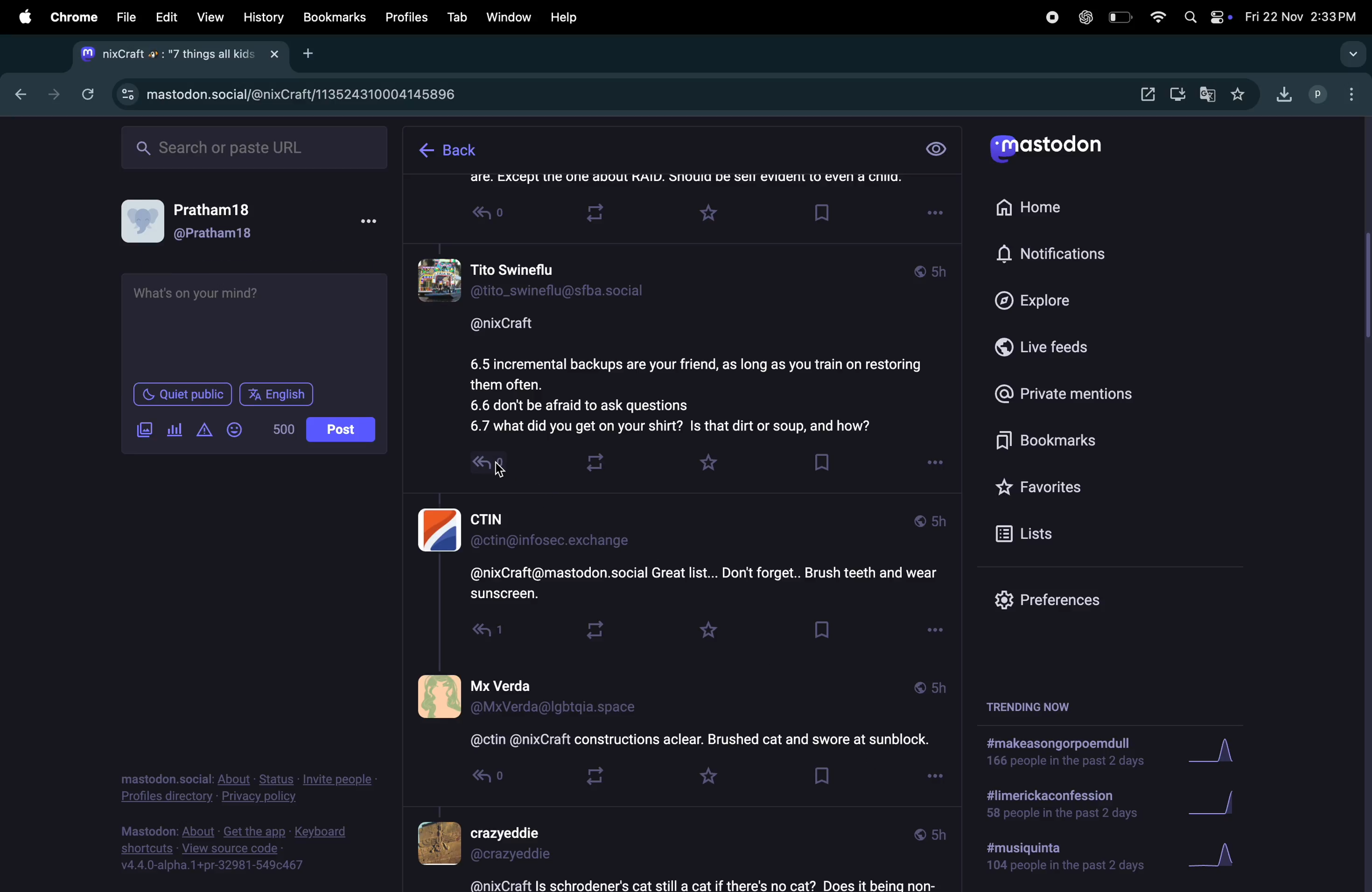 The width and height of the screenshot is (1372, 892). Describe the element at coordinates (342, 429) in the screenshot. I see `post` at that location.